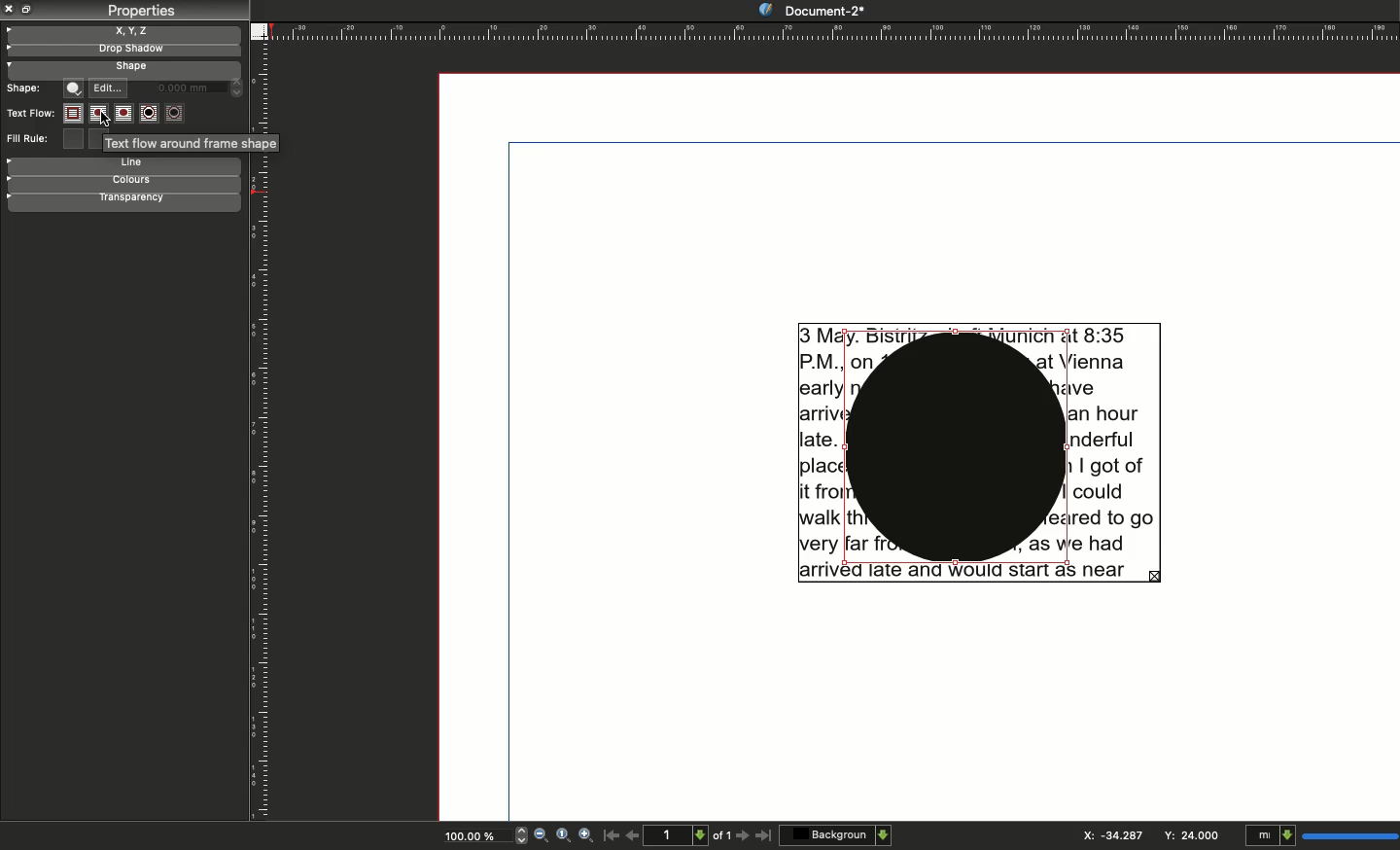  Describe the element at coordinates (29, 114) in the screenshot. I see `Text flow` at that location.